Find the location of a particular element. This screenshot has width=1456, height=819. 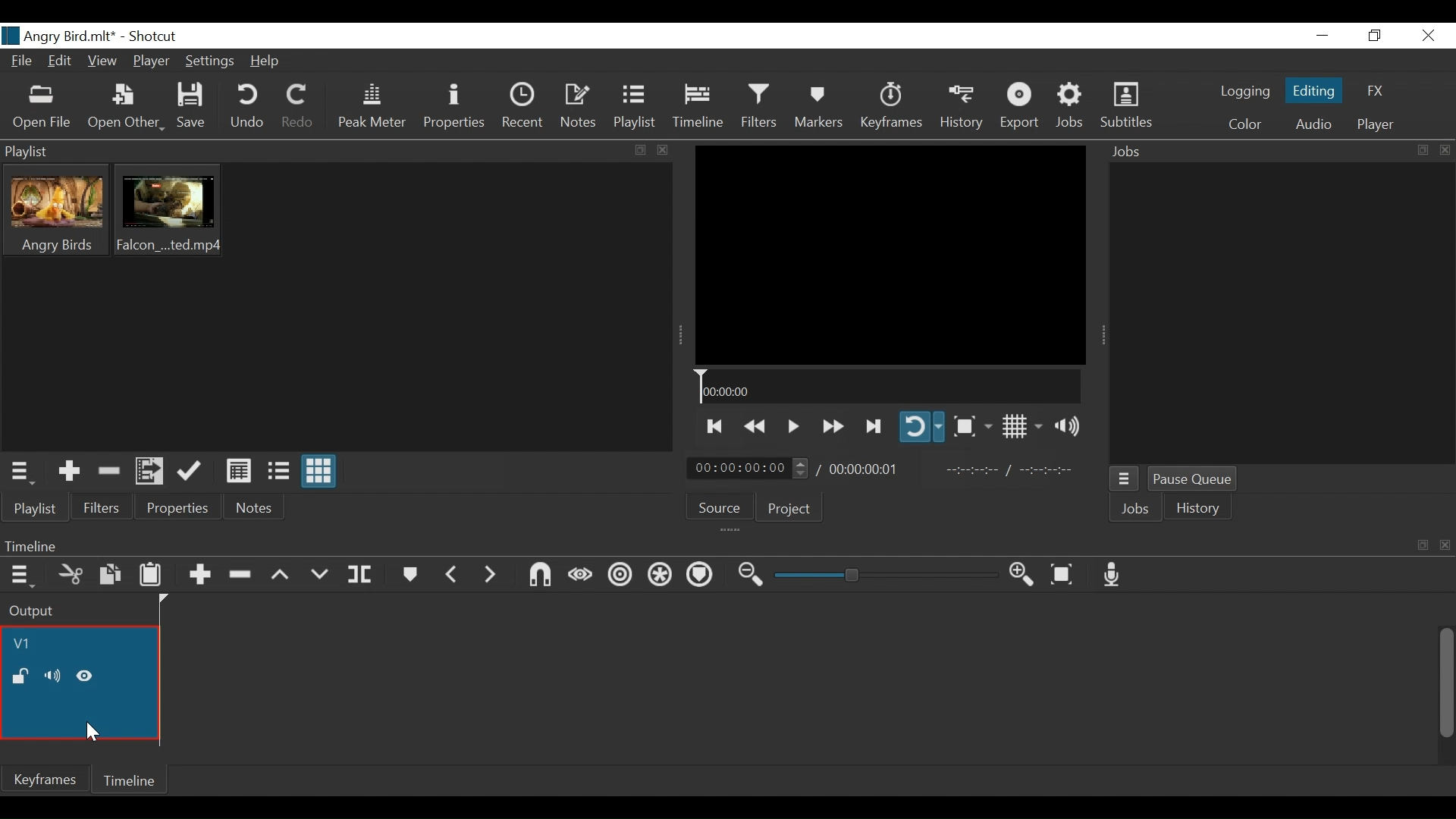

Zoom timeline to fit is located at coordinates (1062, 575).